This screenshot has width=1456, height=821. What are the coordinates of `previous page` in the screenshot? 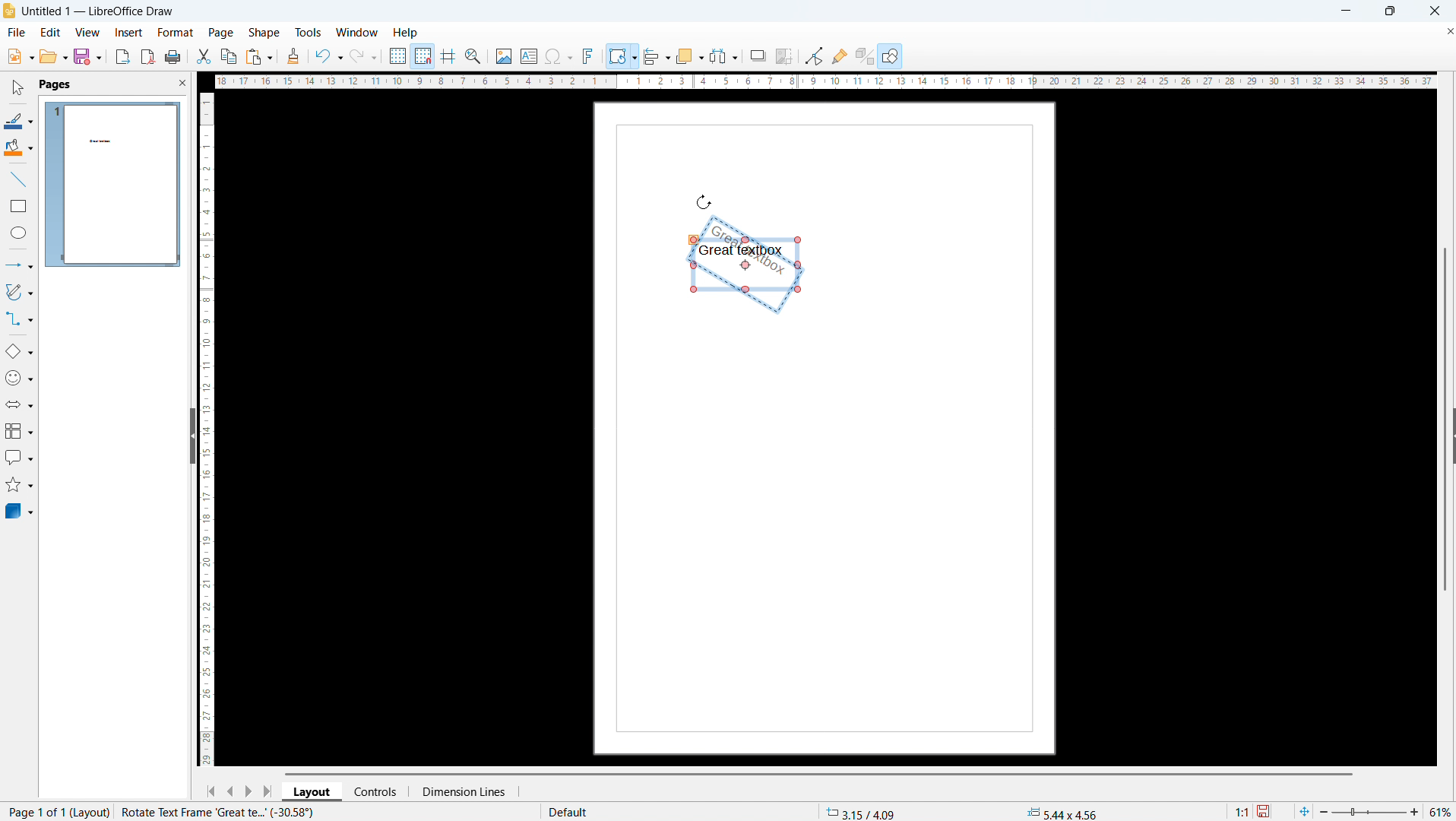 It's located at (230, 791).